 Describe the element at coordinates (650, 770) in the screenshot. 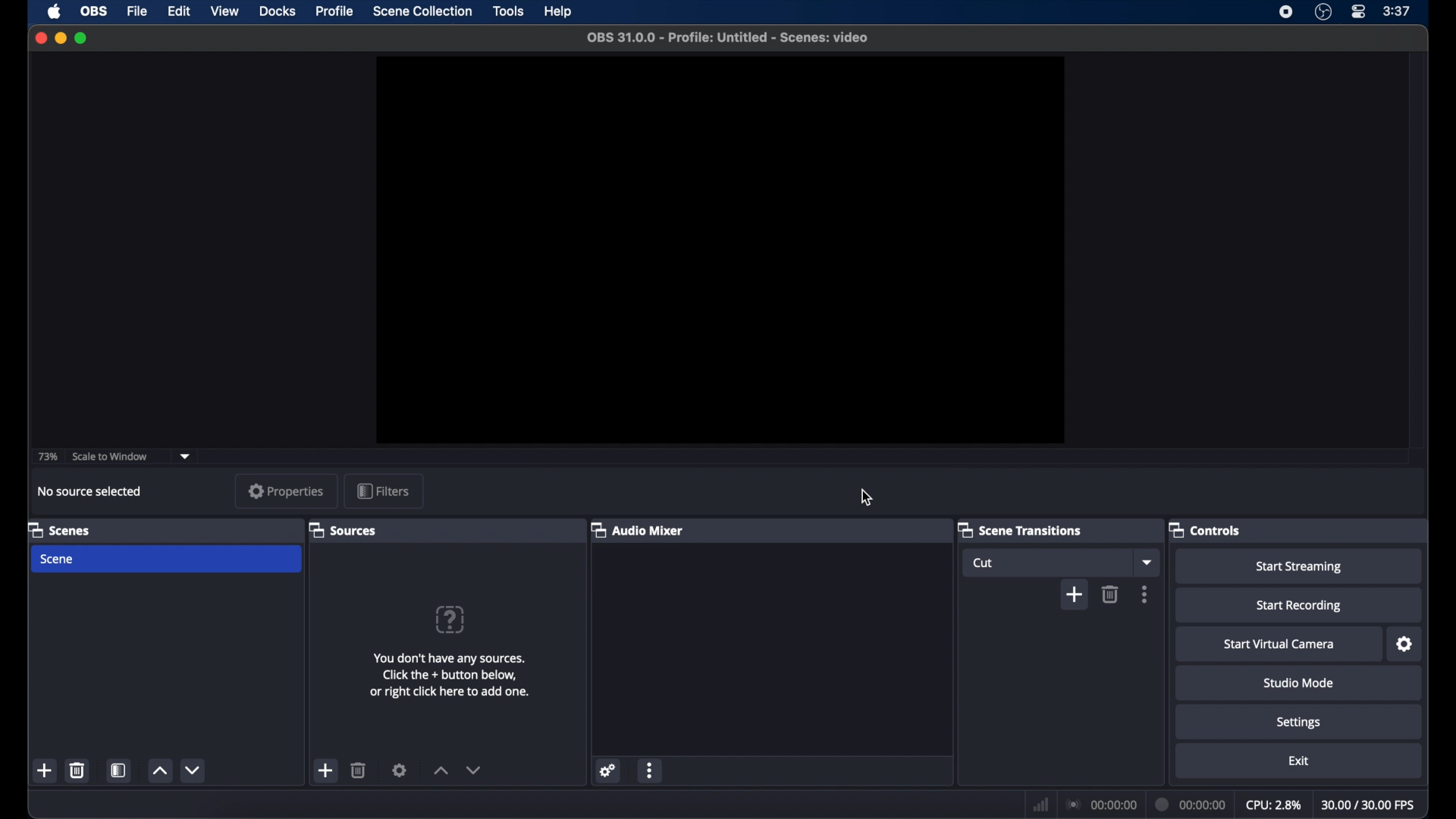

I see `more options` at that location.